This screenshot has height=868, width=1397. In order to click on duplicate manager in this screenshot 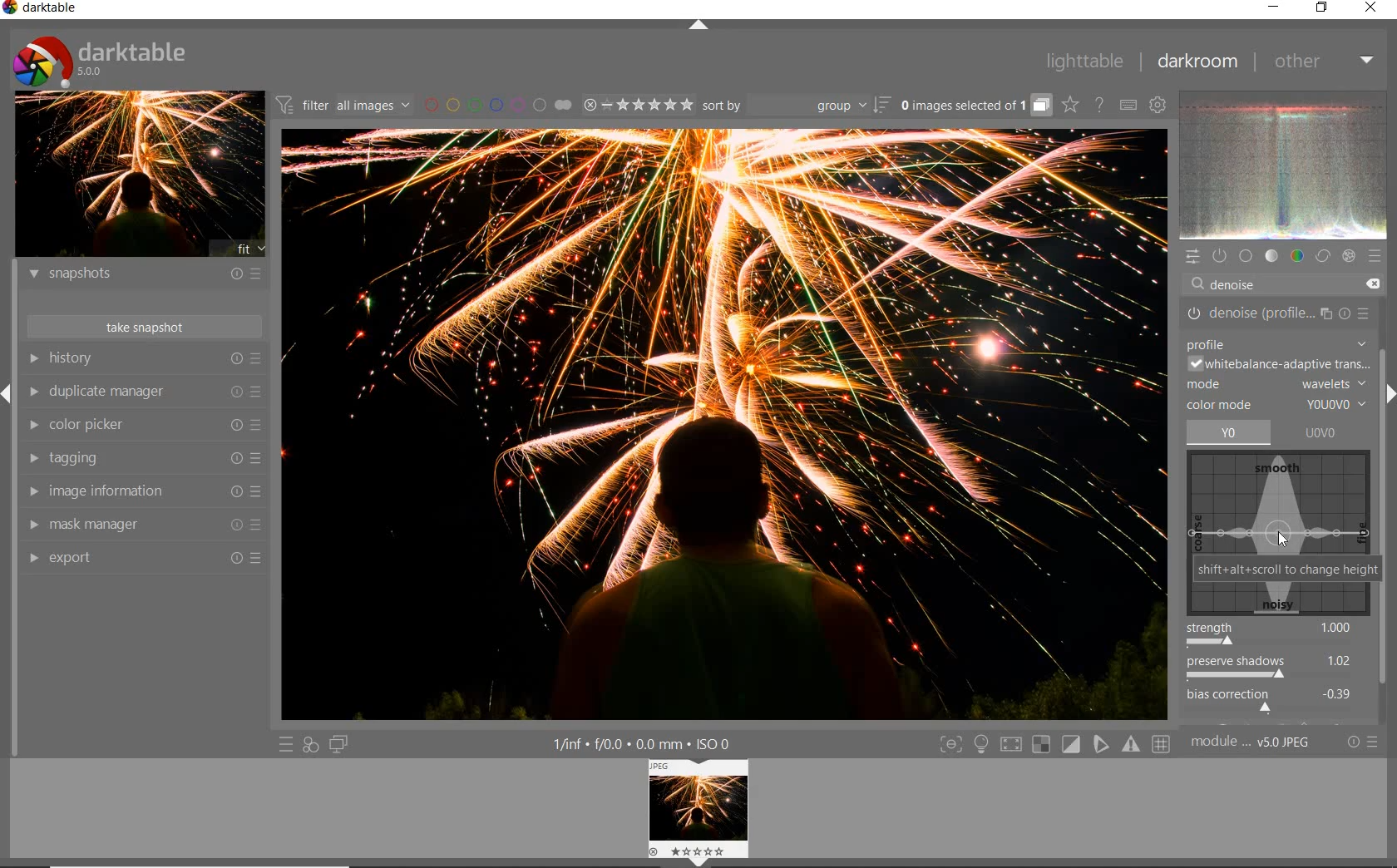, I will do `click(146, 392)`.